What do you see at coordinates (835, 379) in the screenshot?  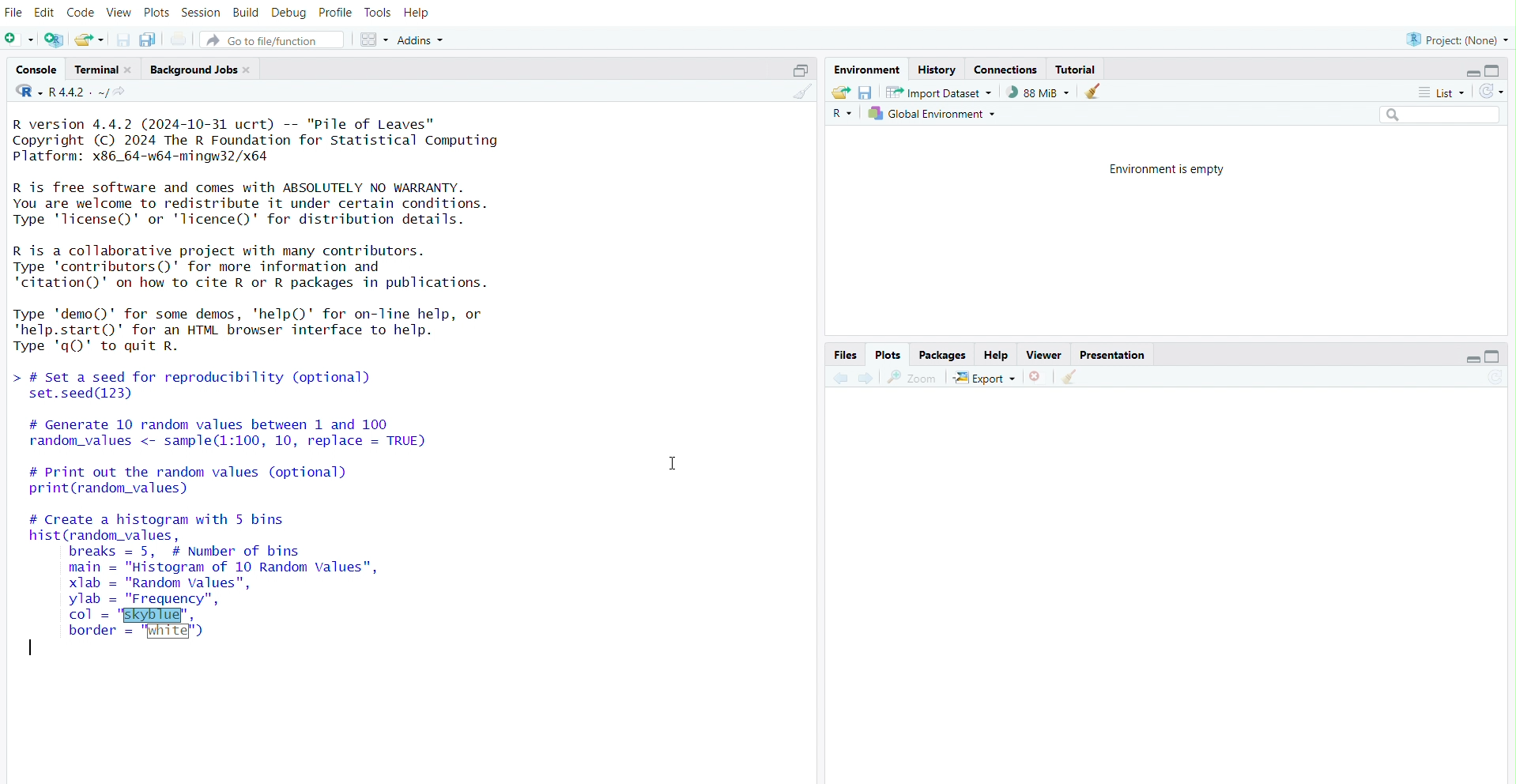 I see `previous plot` at bounding box center [835, 379].